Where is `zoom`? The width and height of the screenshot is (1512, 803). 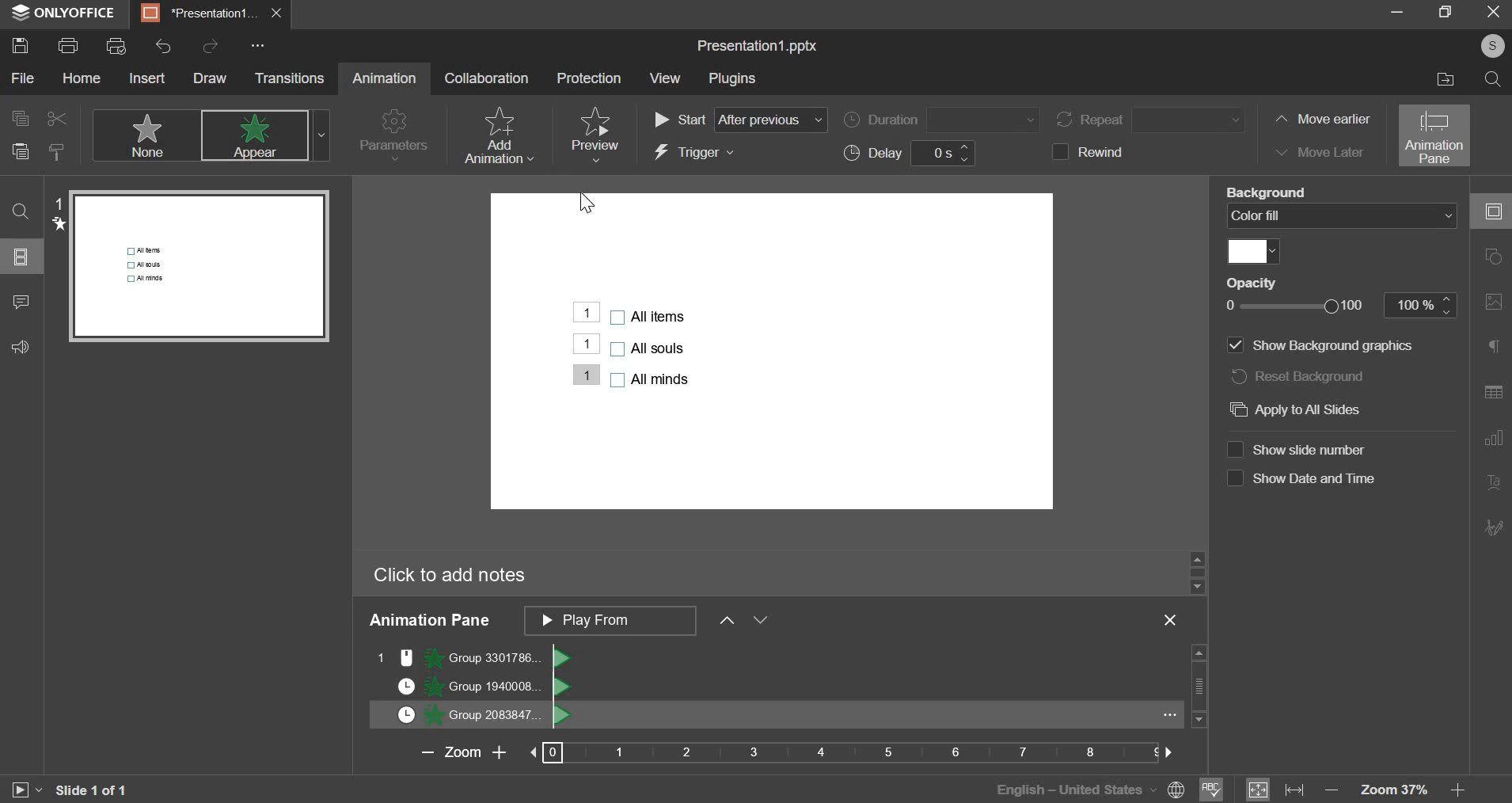
zoom is located at coordinates (785, 752).